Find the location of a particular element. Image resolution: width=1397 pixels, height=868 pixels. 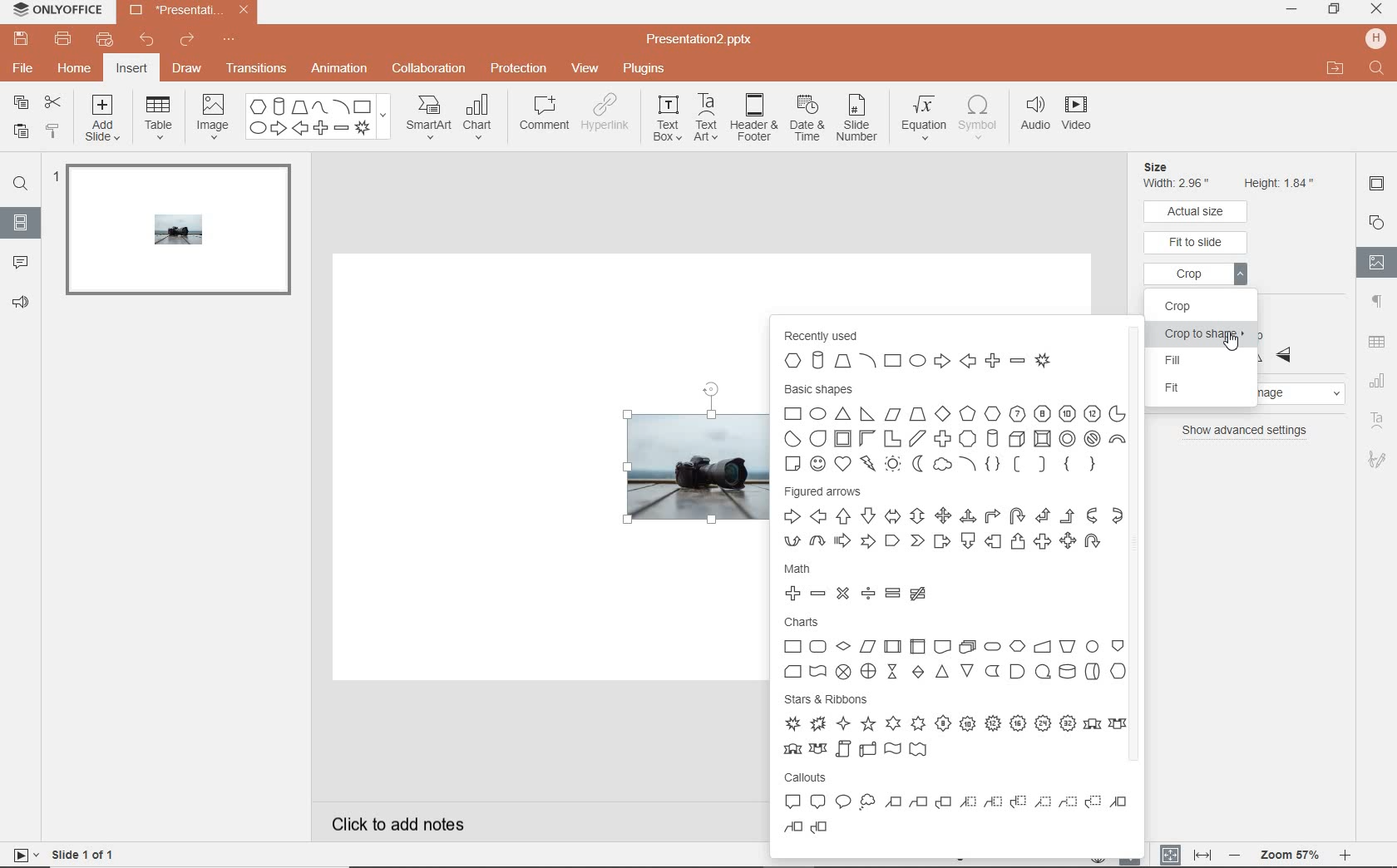

paragraph settings is located at coordinates (1376, 303).